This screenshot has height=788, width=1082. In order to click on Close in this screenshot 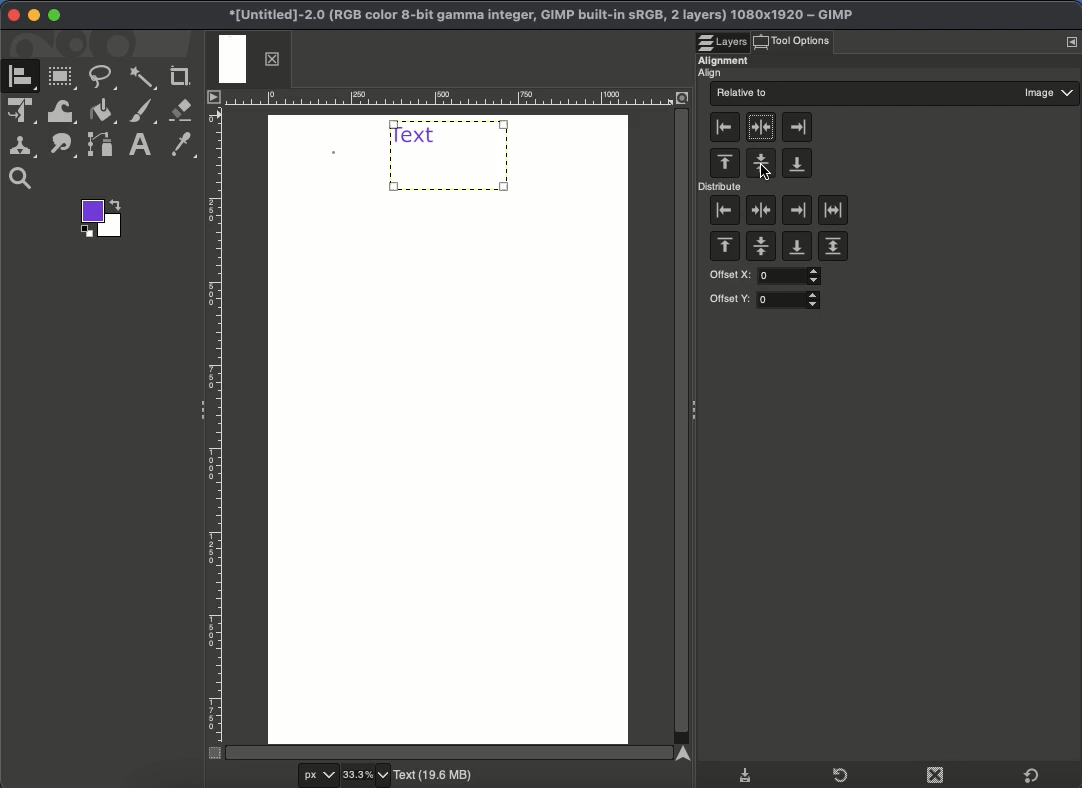, I will do `click(13, 15)`.